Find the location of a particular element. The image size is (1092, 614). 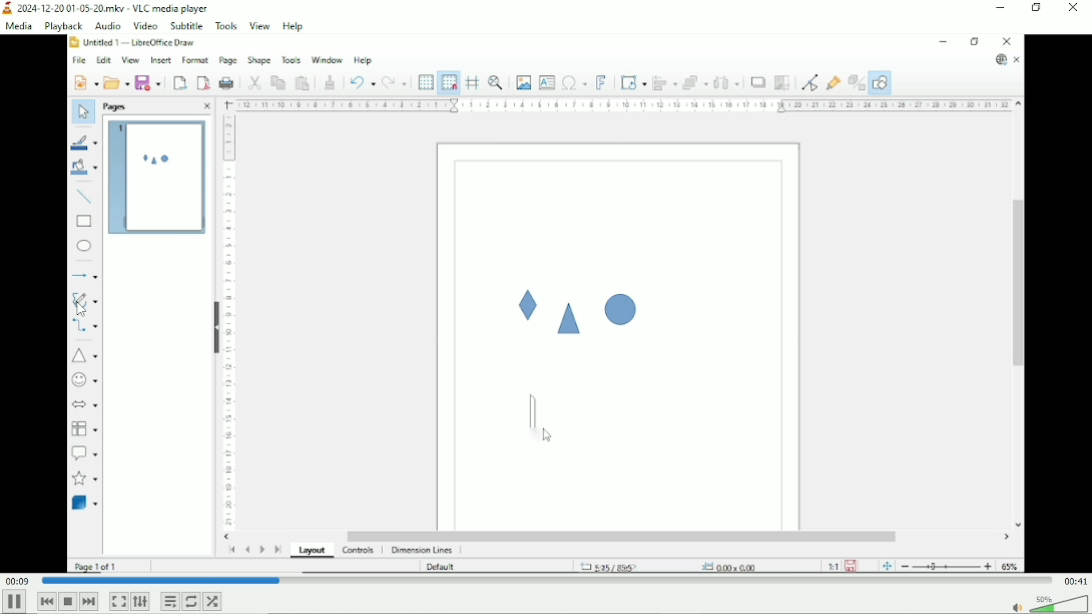

Toggle playlist is located at coordinates (170, 601).